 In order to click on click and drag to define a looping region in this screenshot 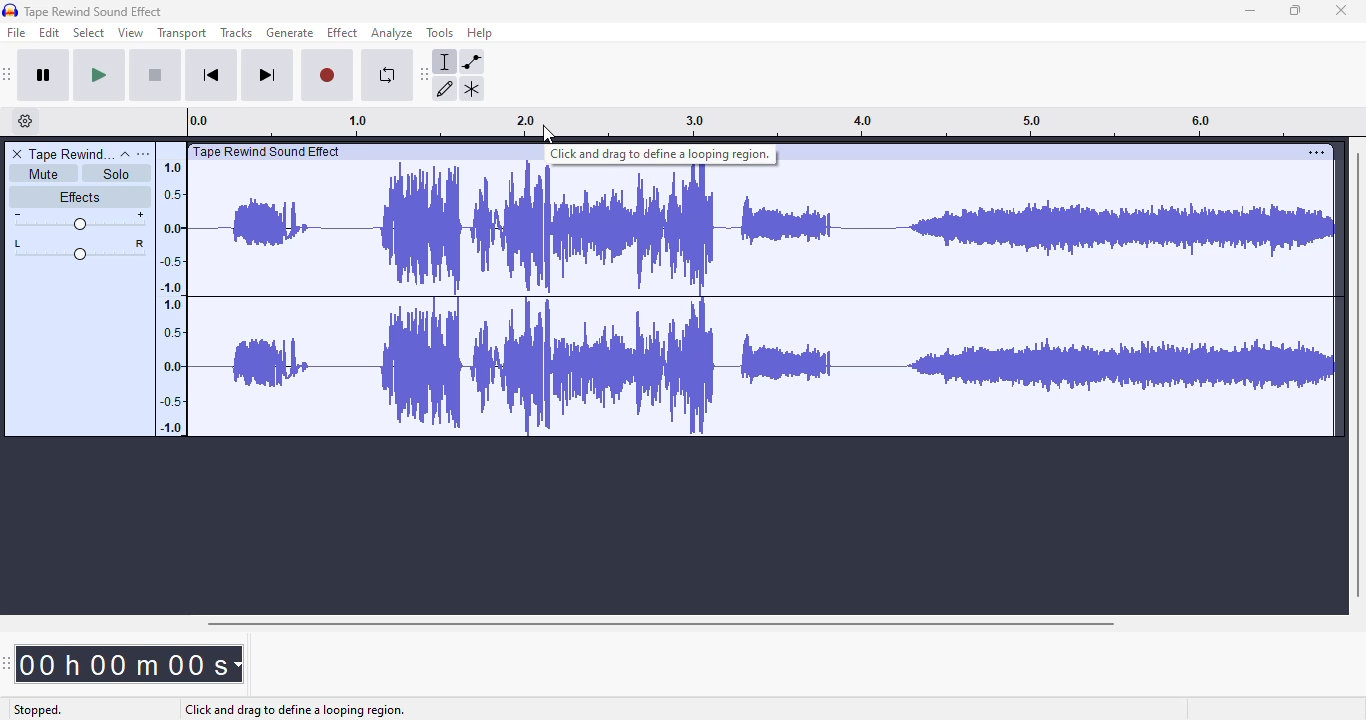, I will do `click(295, 710)`.